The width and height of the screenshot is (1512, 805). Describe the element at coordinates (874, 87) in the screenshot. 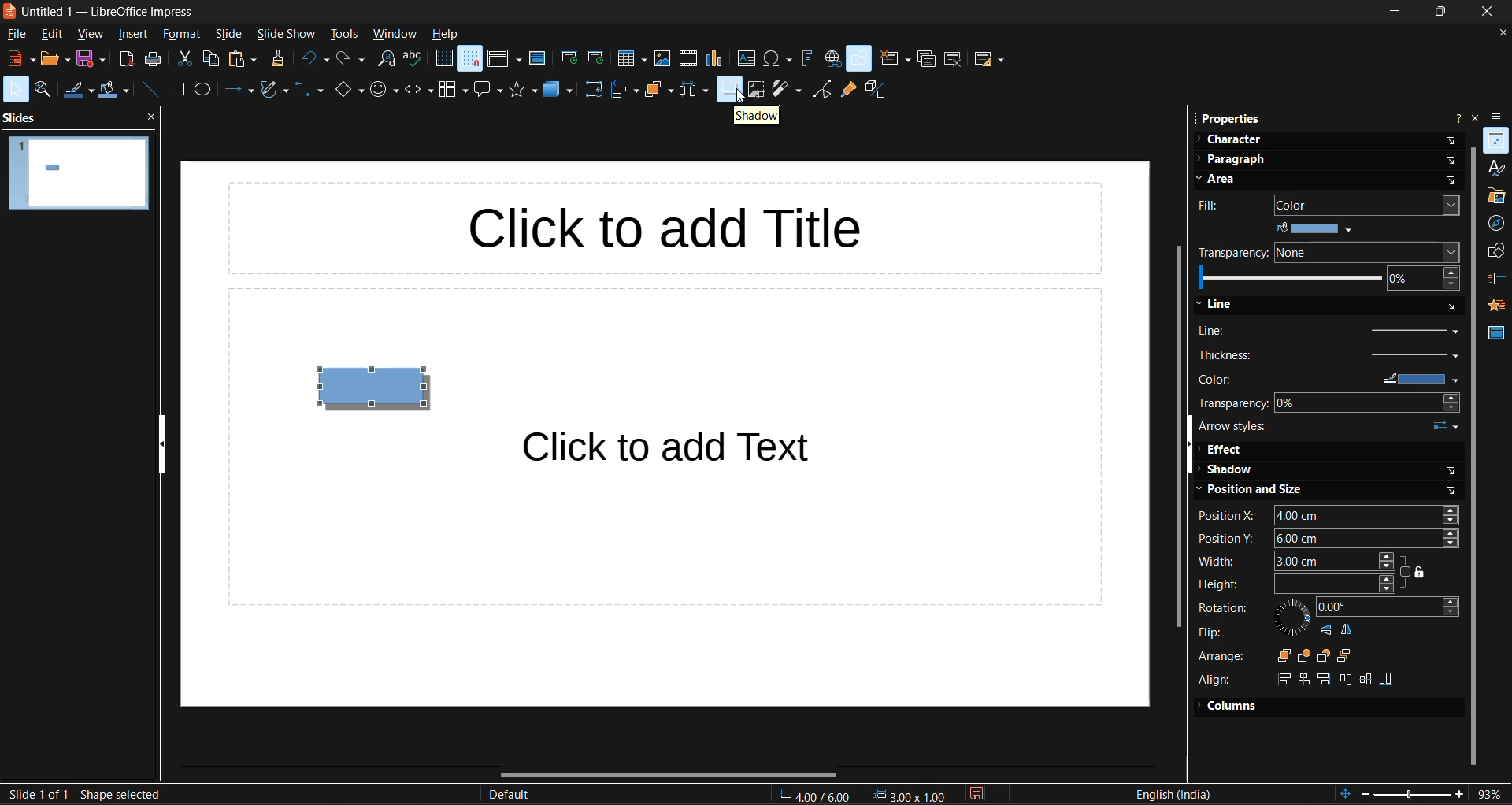

I see `toggle extrusion` at that location.